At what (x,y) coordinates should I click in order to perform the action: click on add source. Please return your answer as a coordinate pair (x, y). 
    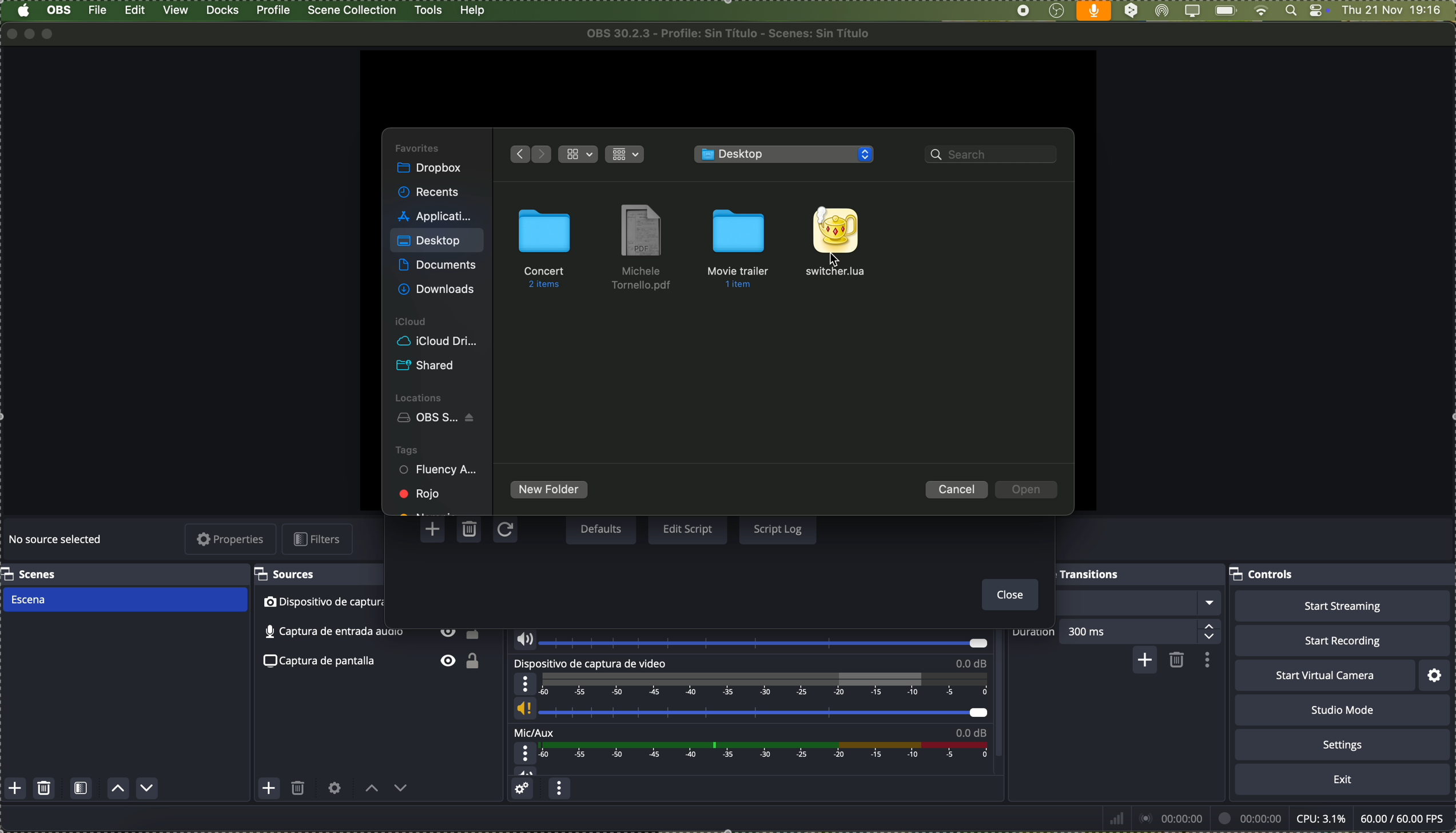
    Looking at the image, I should click on (269, 788).